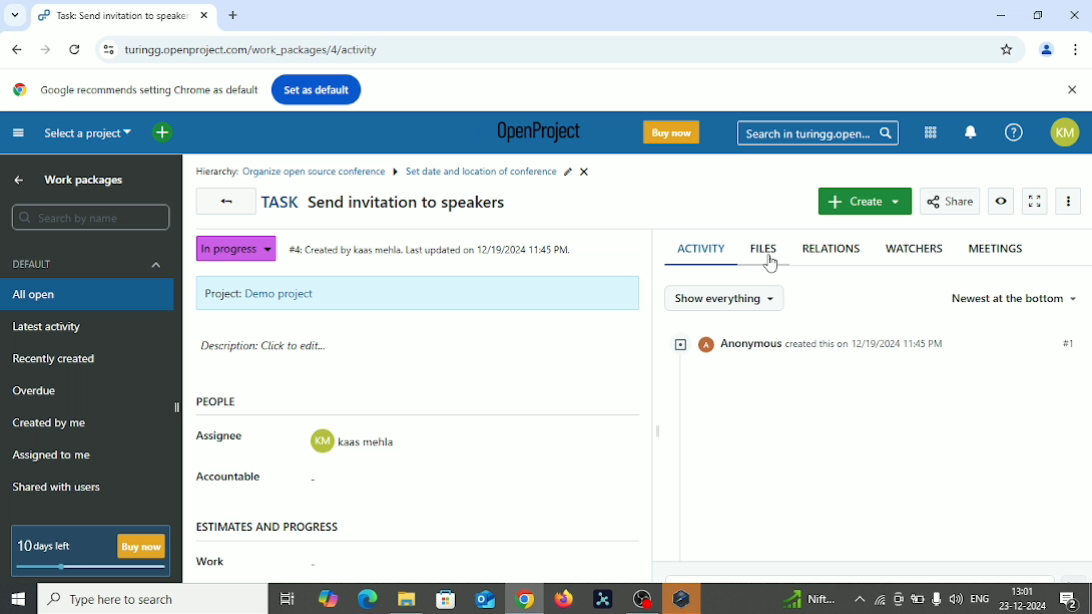  I want to click on OBS Studio, so click(640, 599).